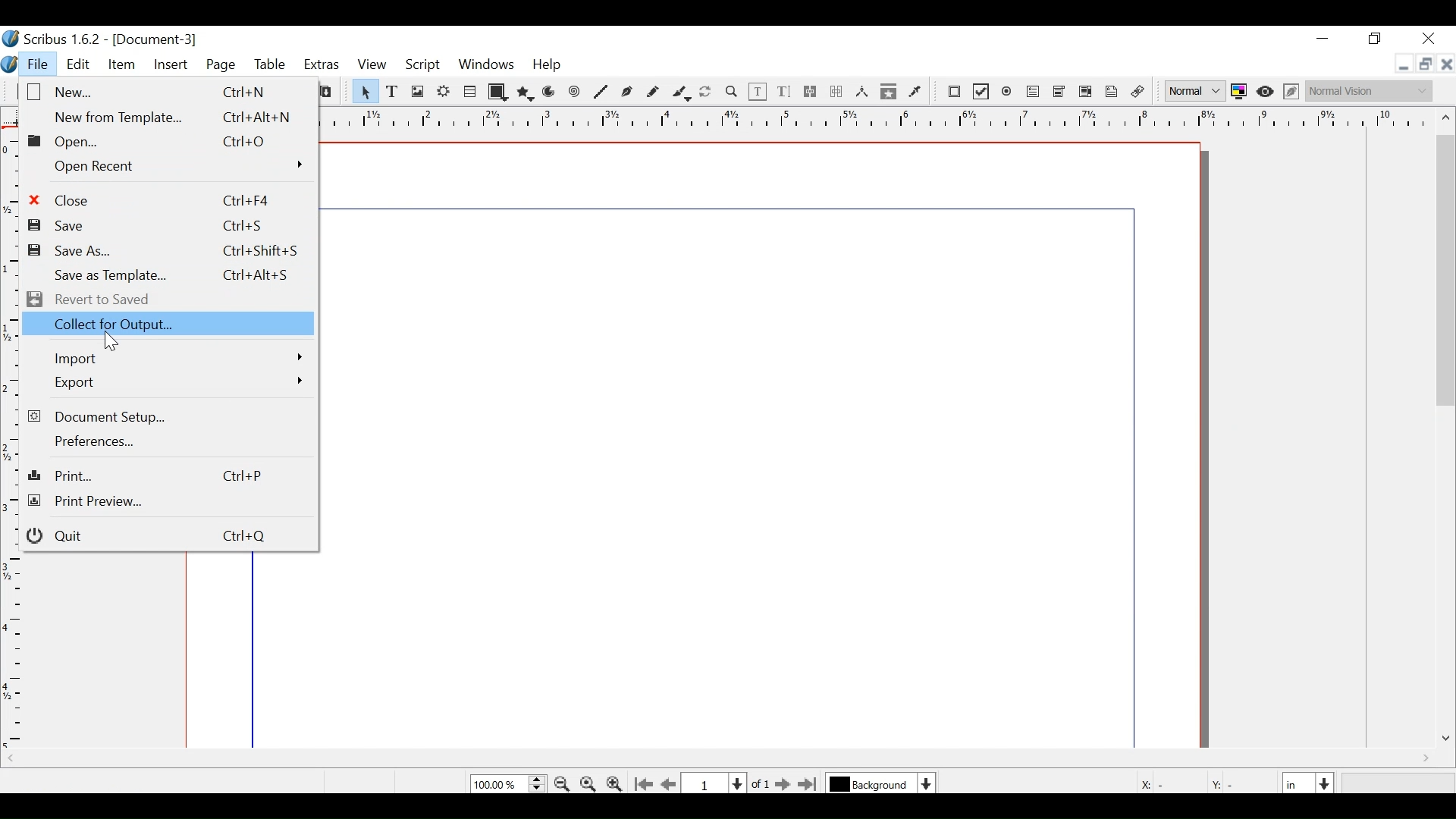 The image size is (1456, 819). What do you see at coordinates (779, 784) in the screenshot?
I see `Go to the next Page` at bounding box center [779, 784].